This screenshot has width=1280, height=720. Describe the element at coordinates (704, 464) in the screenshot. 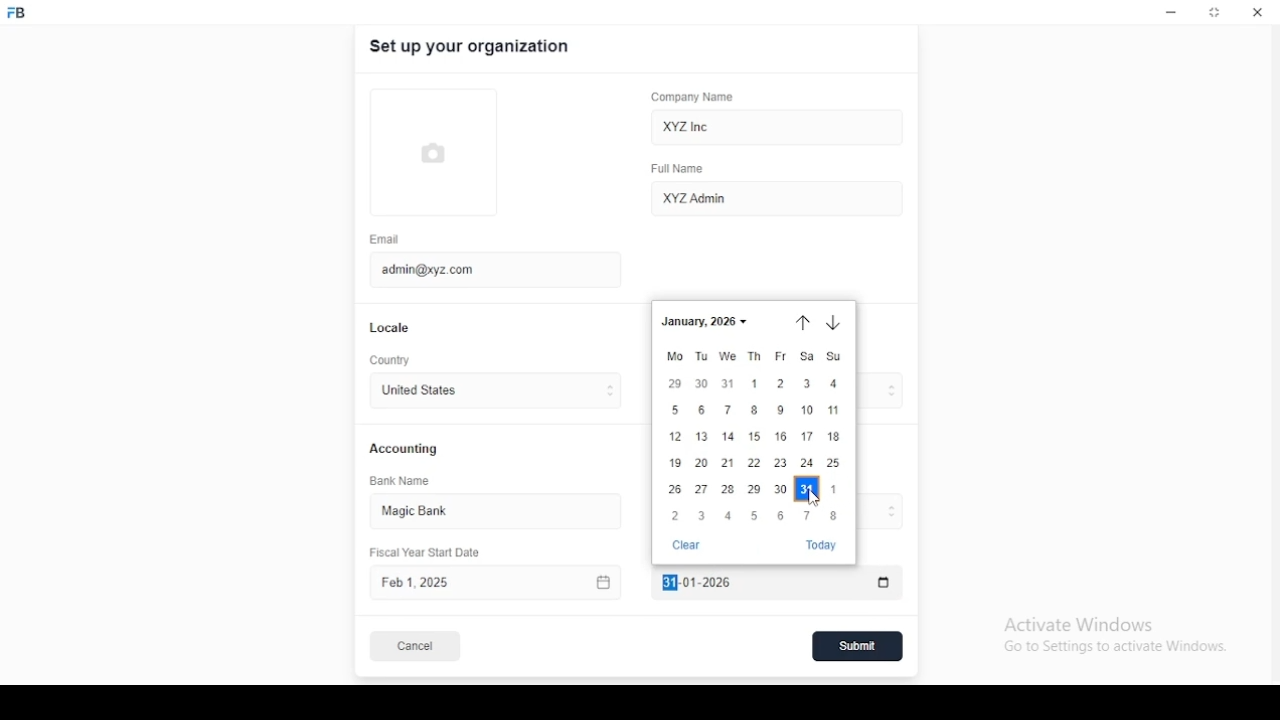

I see `20` at that location.